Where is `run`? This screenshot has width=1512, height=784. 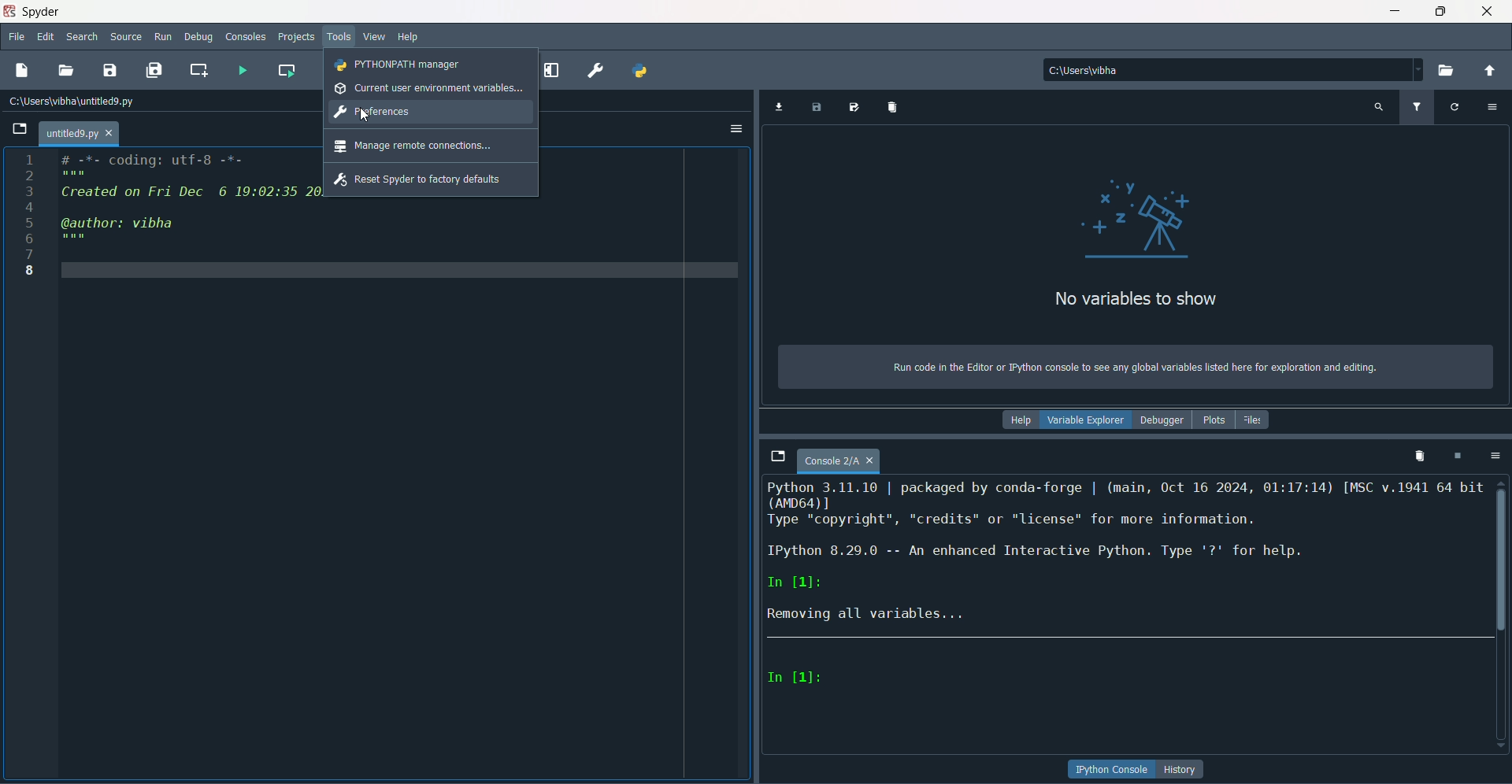 run is located at coordinates (164, 37).